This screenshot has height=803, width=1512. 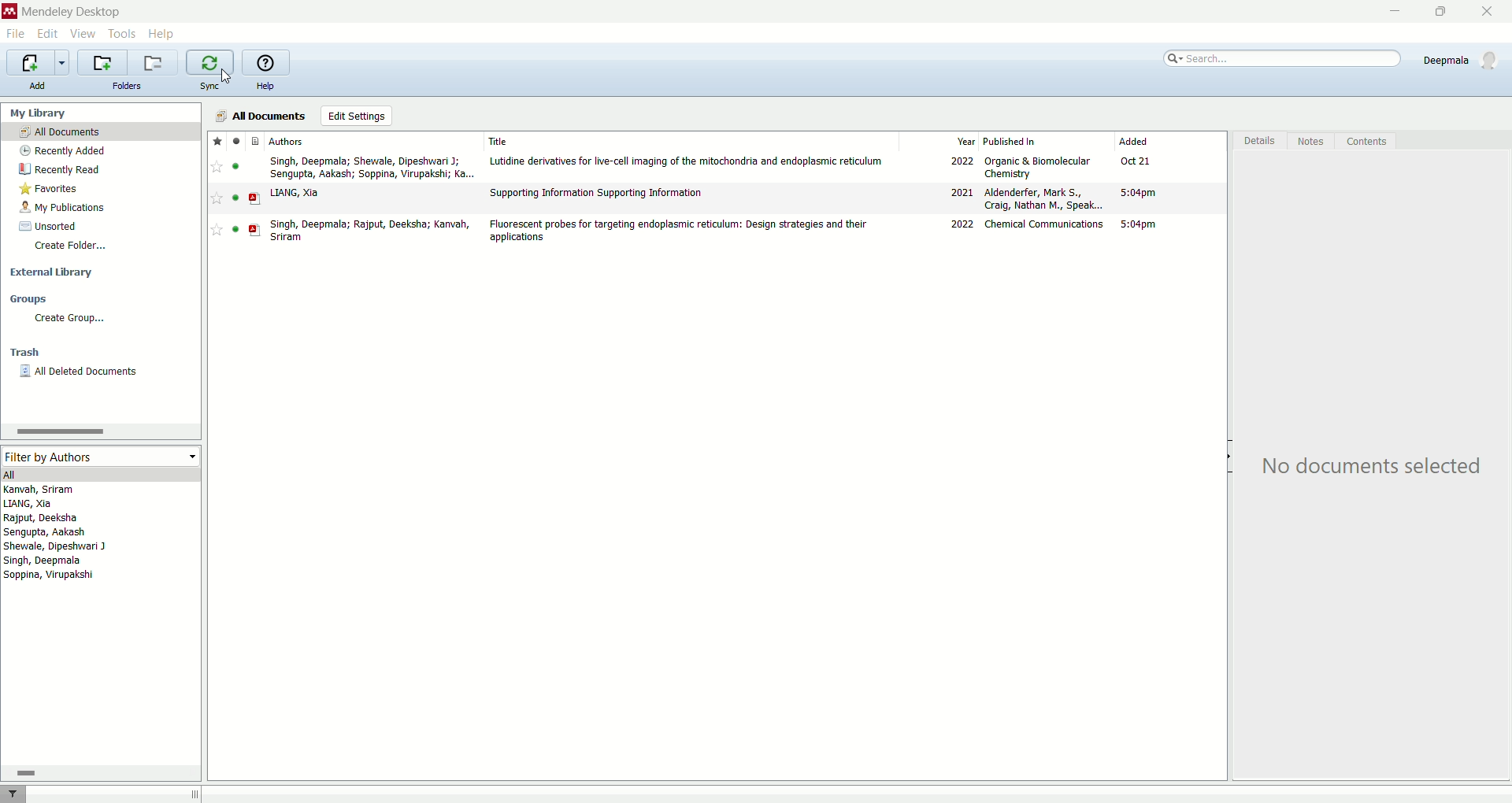 I want to click on Sengupta, Aakash, so click(x=47, y=533).